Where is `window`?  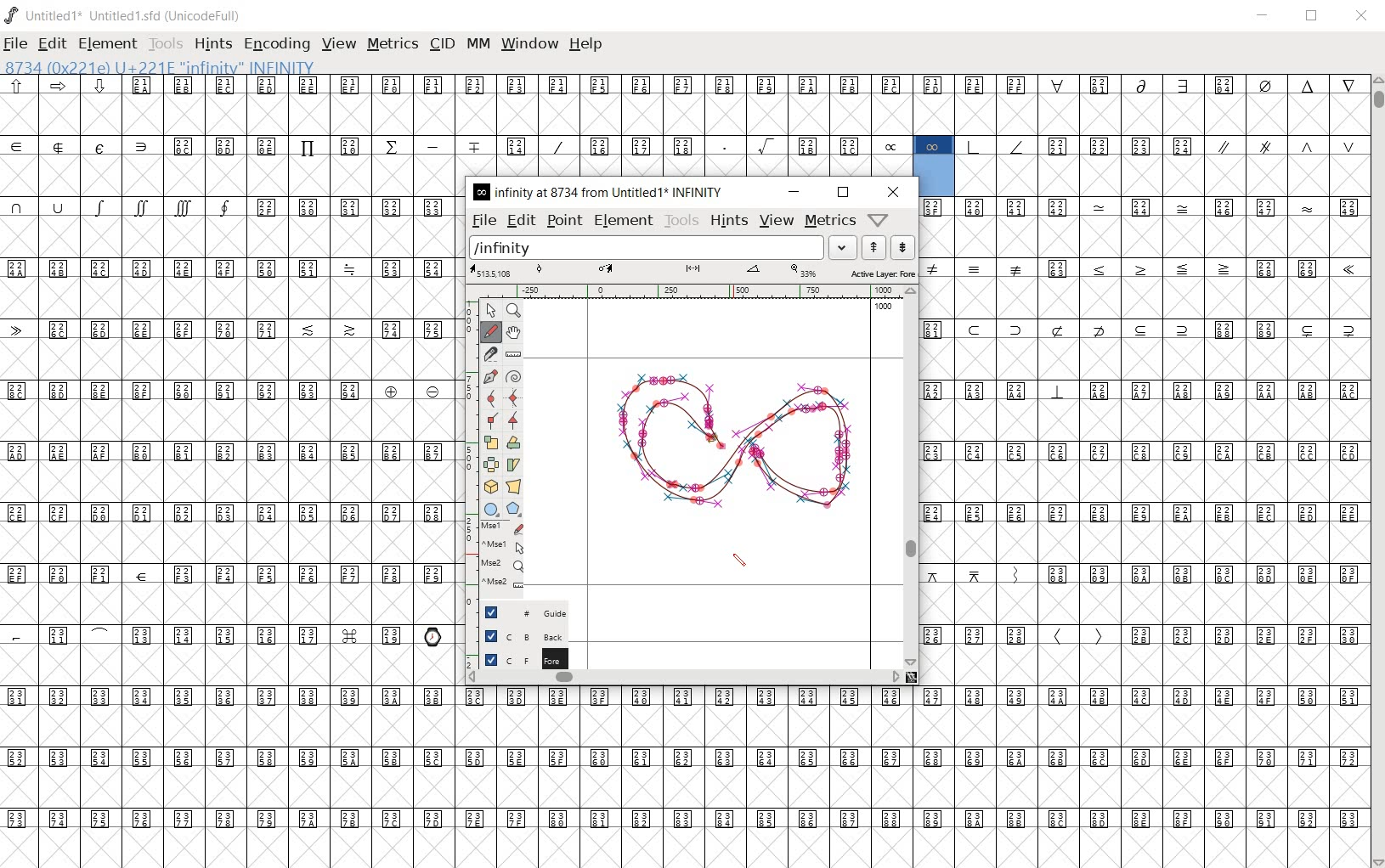
window is located at coordinates (529, 45).